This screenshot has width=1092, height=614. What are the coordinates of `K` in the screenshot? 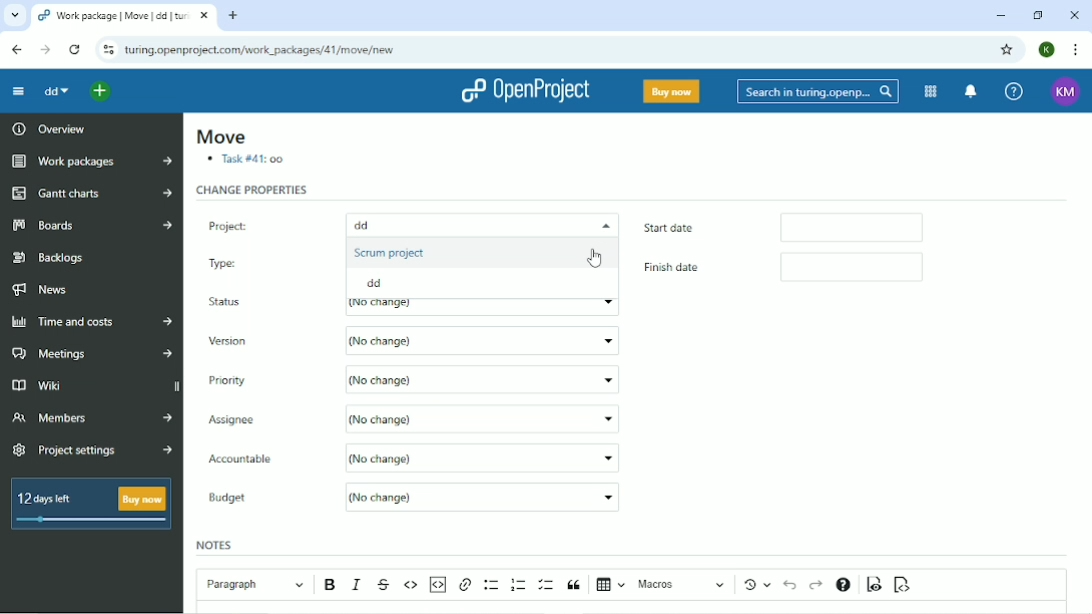 It's located at (1048, 49).